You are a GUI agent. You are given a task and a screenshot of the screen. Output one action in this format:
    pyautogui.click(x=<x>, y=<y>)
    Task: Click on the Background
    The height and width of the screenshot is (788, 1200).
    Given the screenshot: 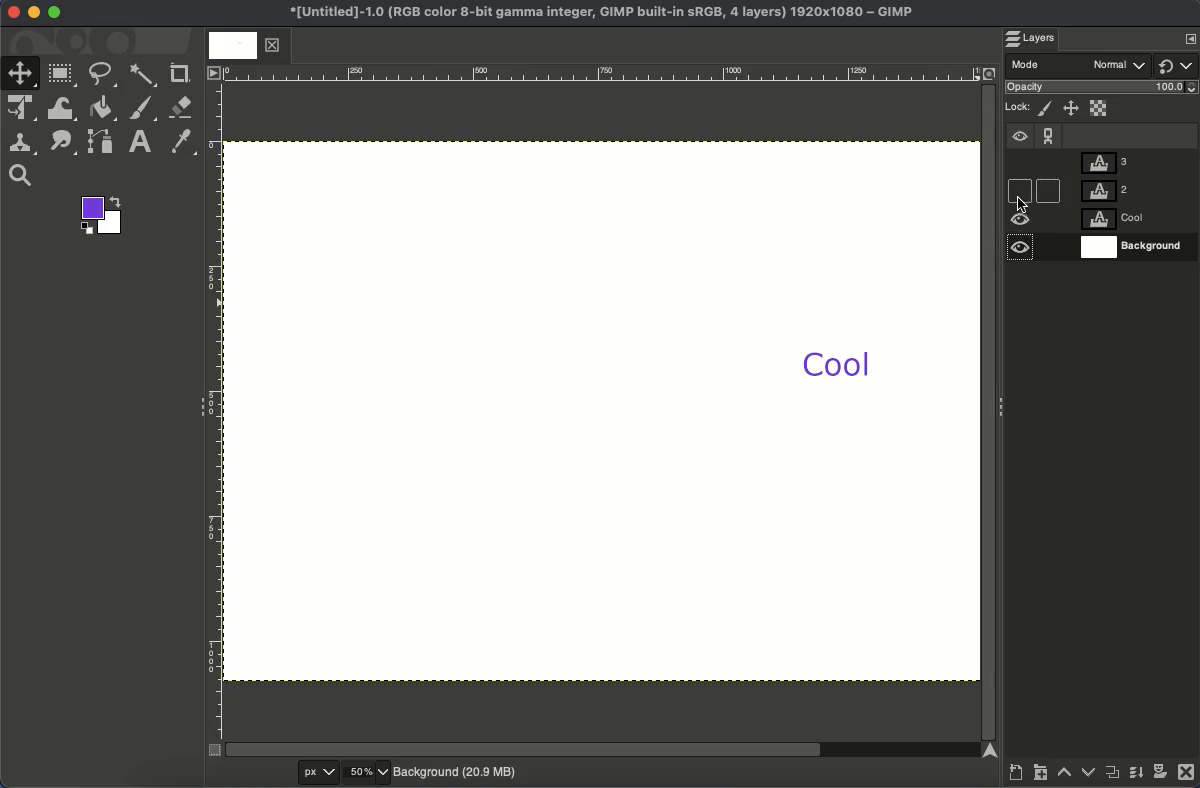 What is the action you would take?
    pyautogui.click(x=457, y=770)
    